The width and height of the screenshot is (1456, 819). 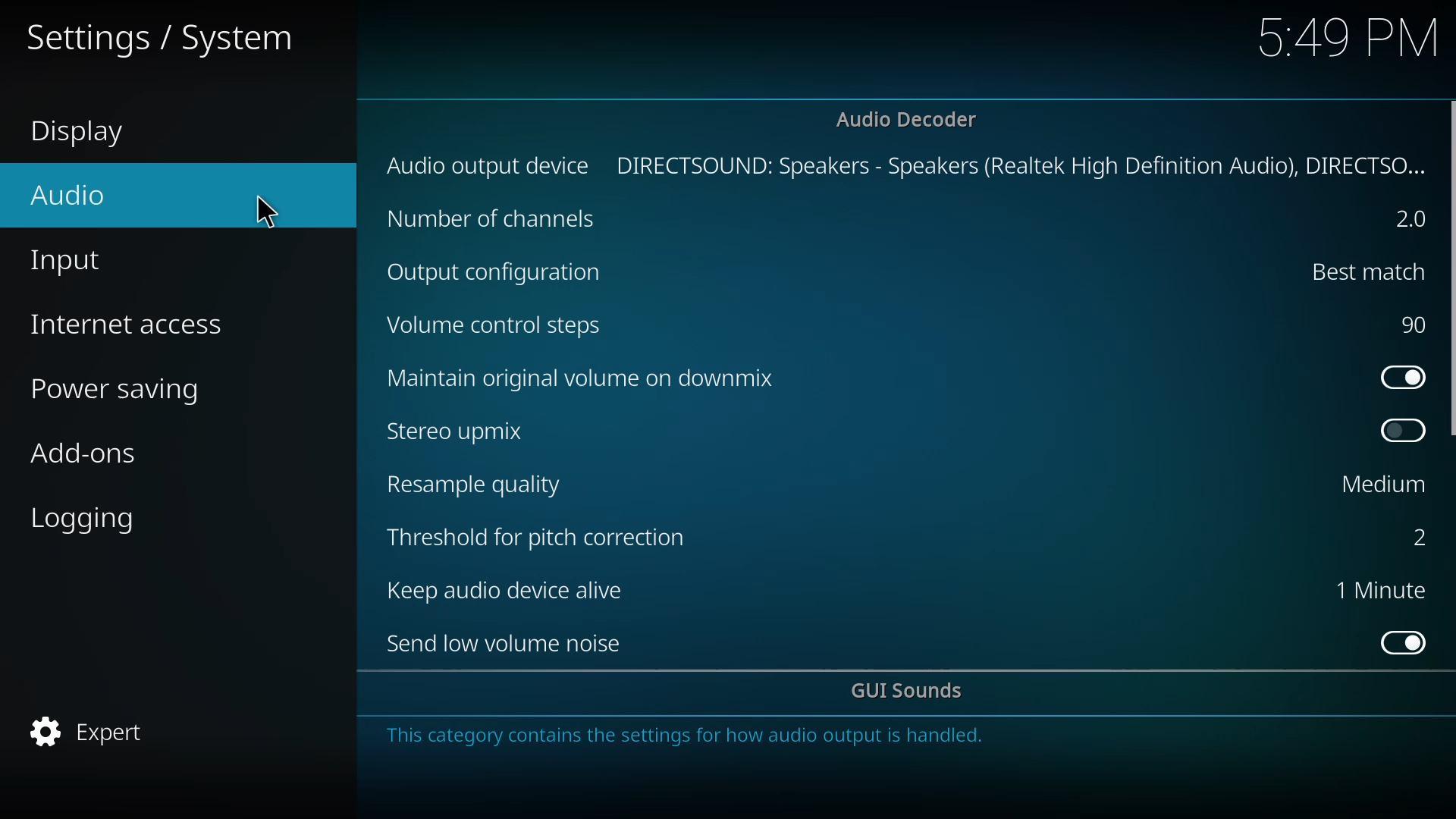 I want to click on audio, so click(x=67, y=196).